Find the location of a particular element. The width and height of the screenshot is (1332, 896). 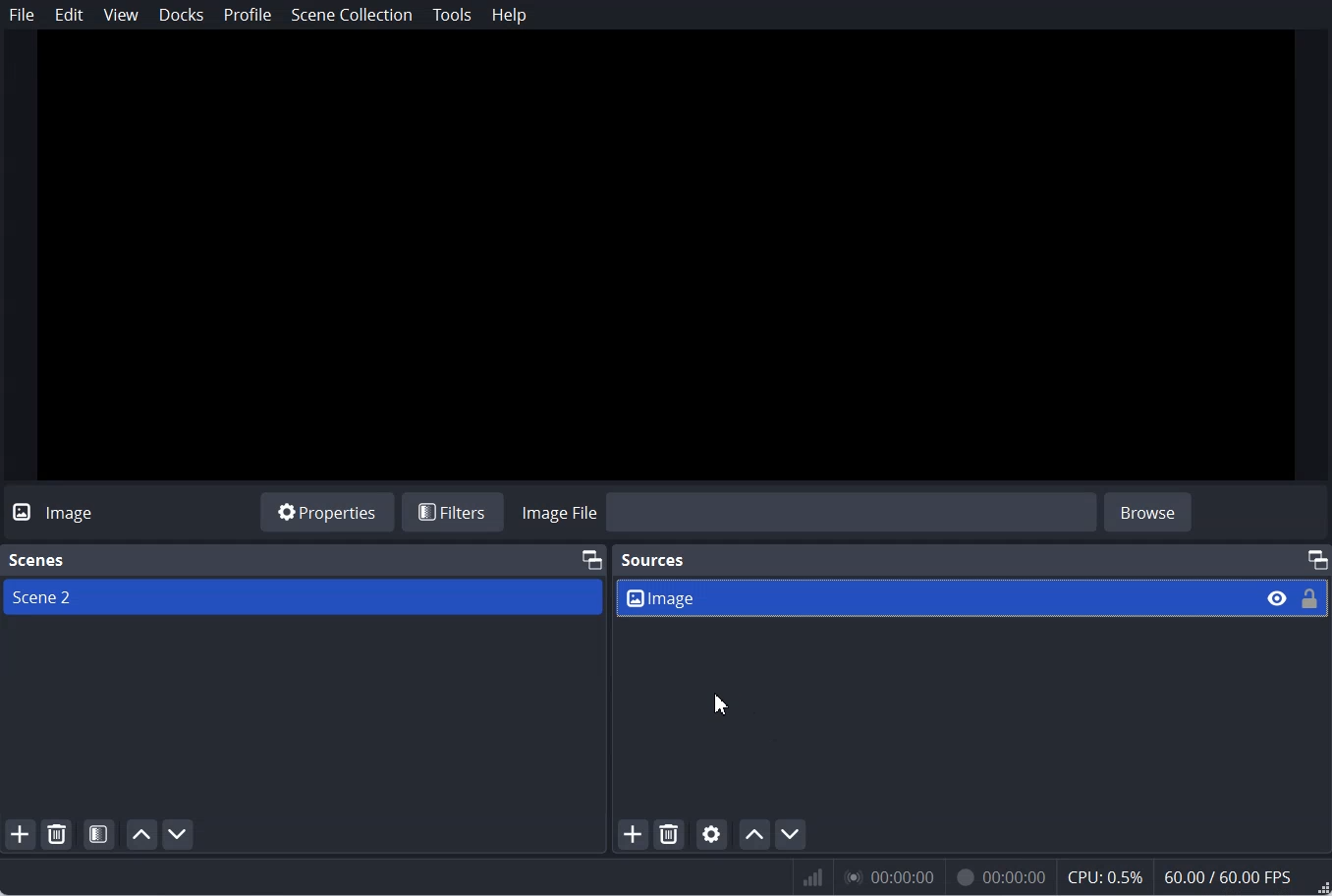

Lock is located at coordinates (1309, 598).